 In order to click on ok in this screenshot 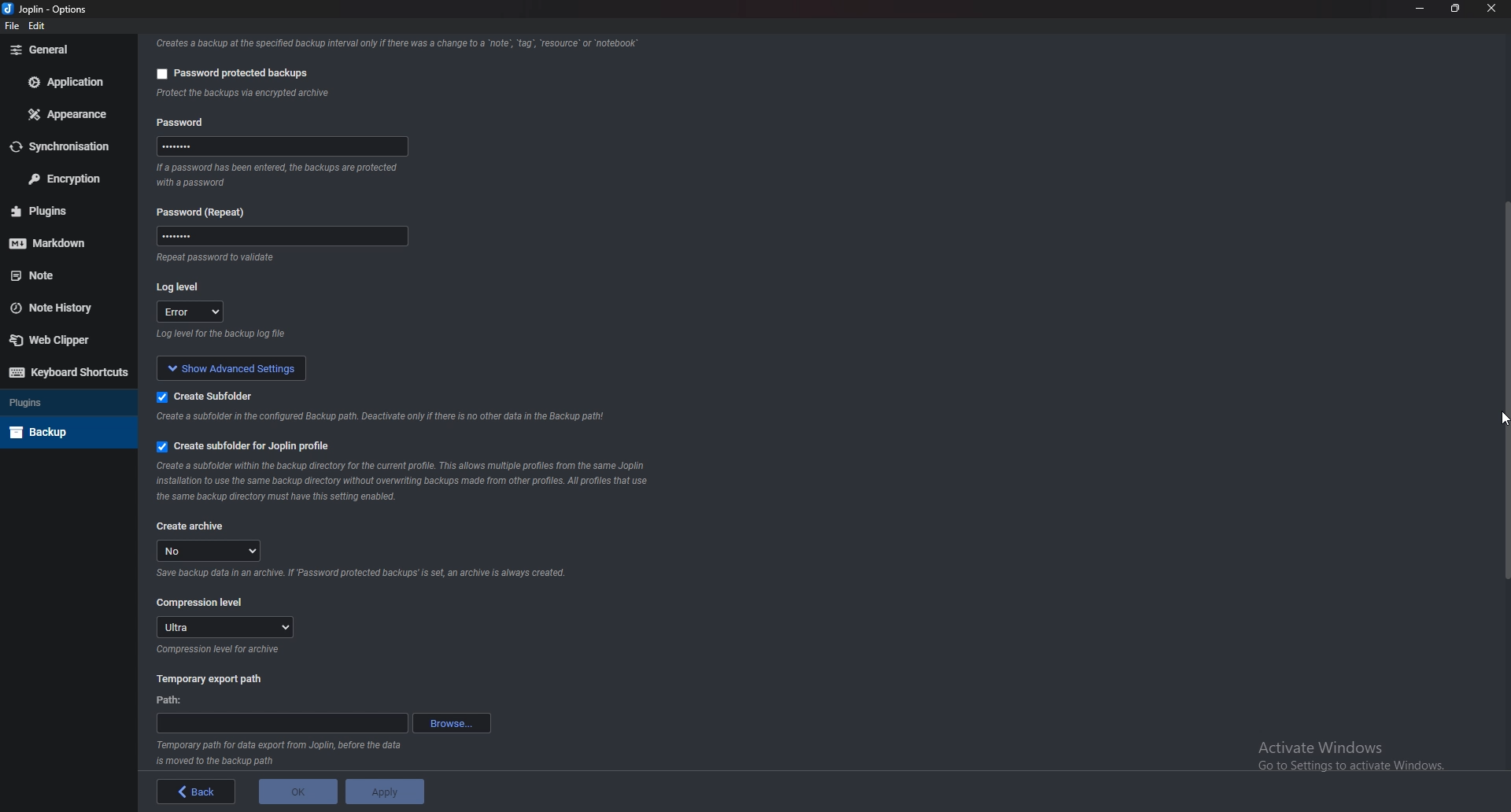, I will do `click(292, 794)`.